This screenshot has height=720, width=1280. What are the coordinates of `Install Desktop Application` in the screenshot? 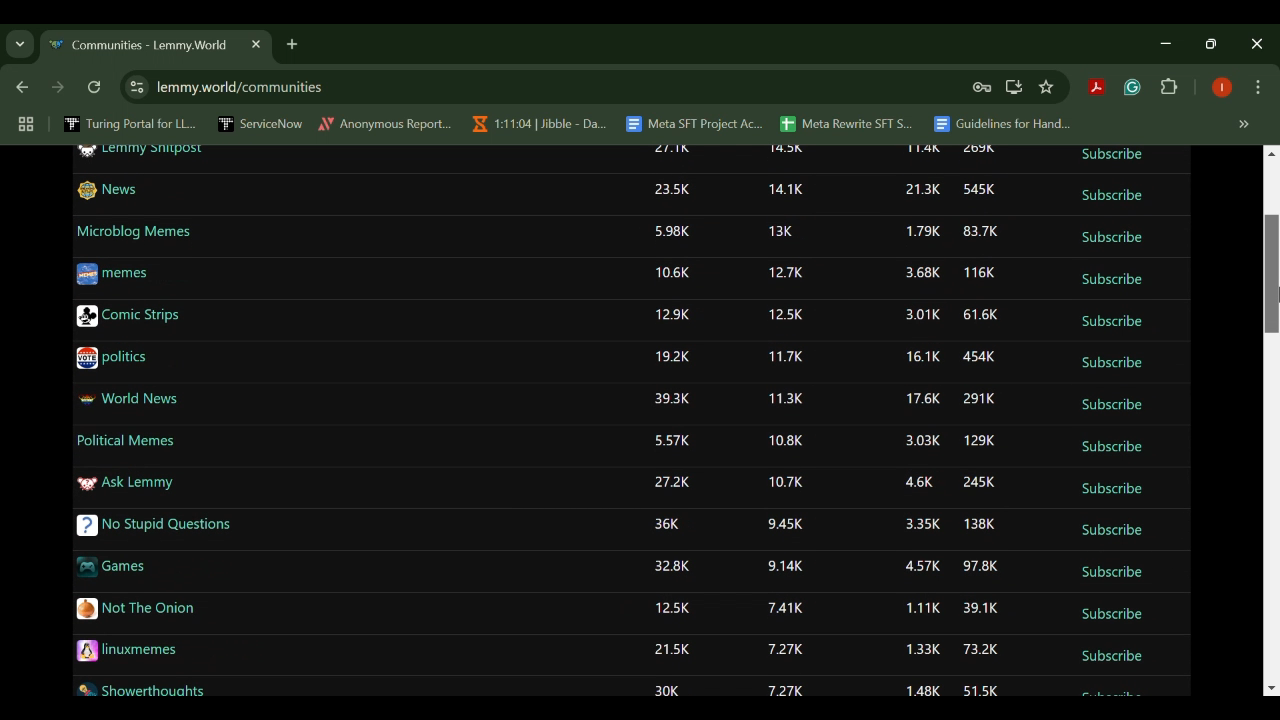 It's located at (1013, 87).